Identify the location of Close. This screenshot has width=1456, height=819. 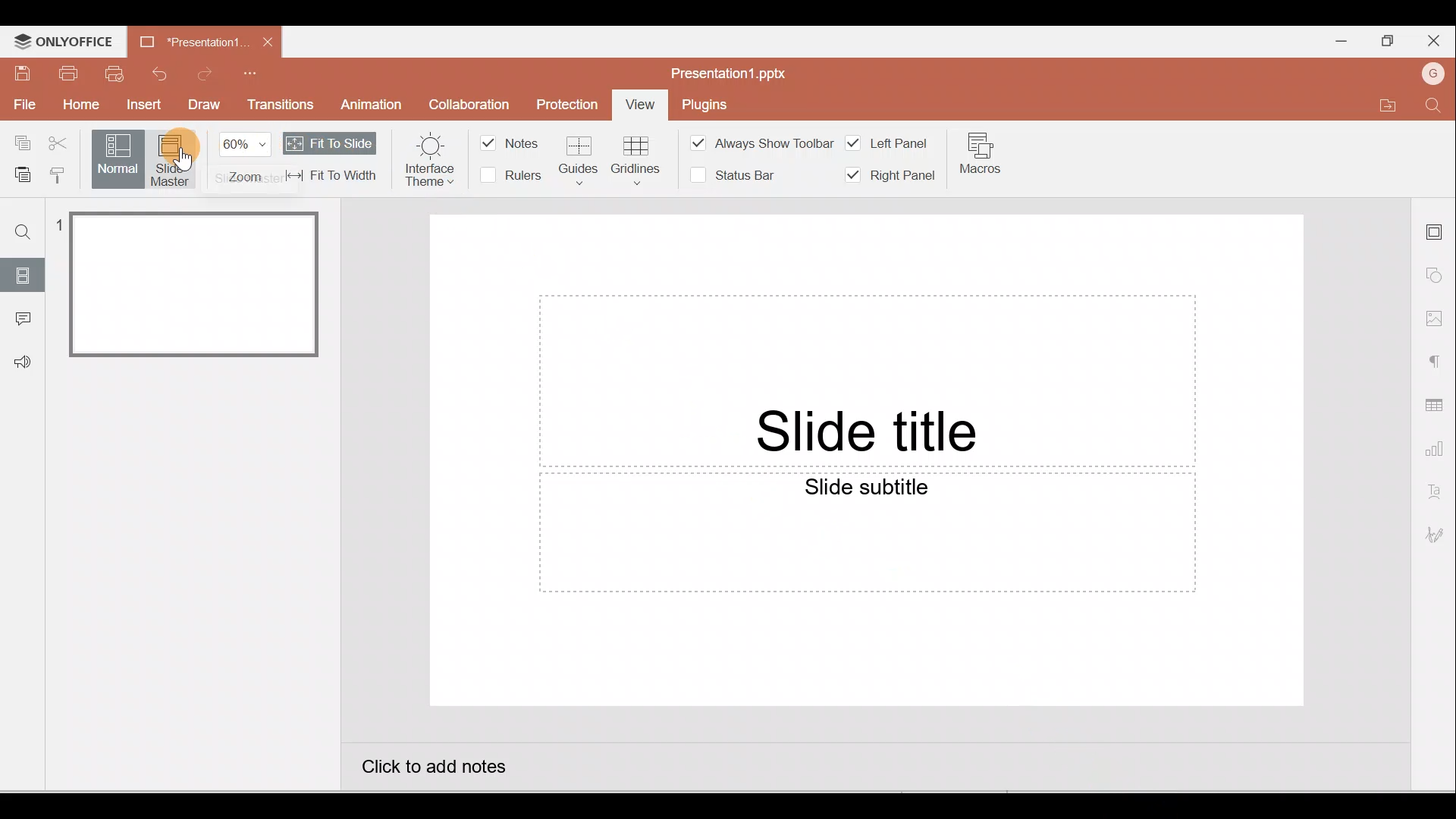
(268, 39).